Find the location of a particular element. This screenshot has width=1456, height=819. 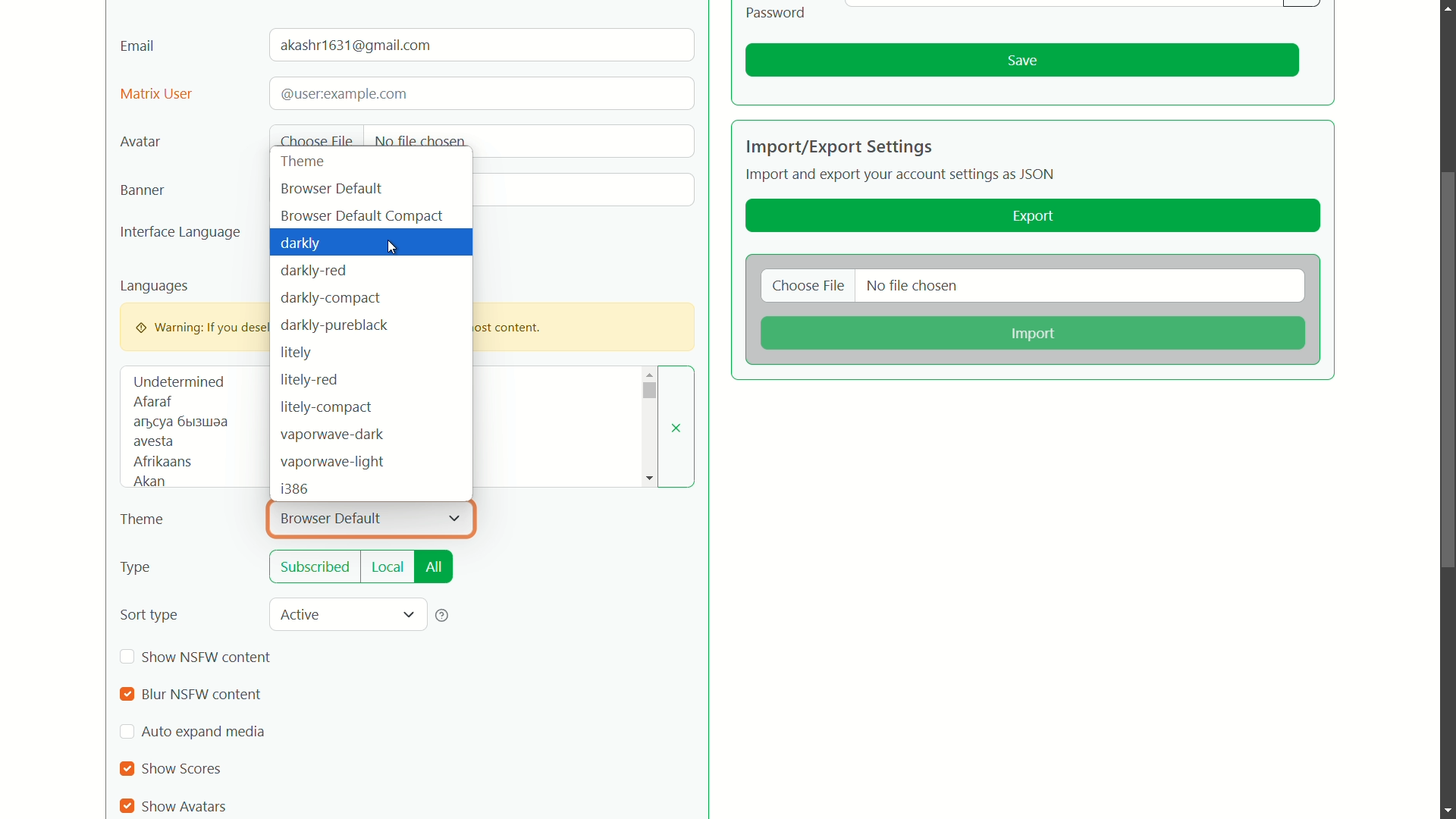

check box is located at coordinates (127, 733).